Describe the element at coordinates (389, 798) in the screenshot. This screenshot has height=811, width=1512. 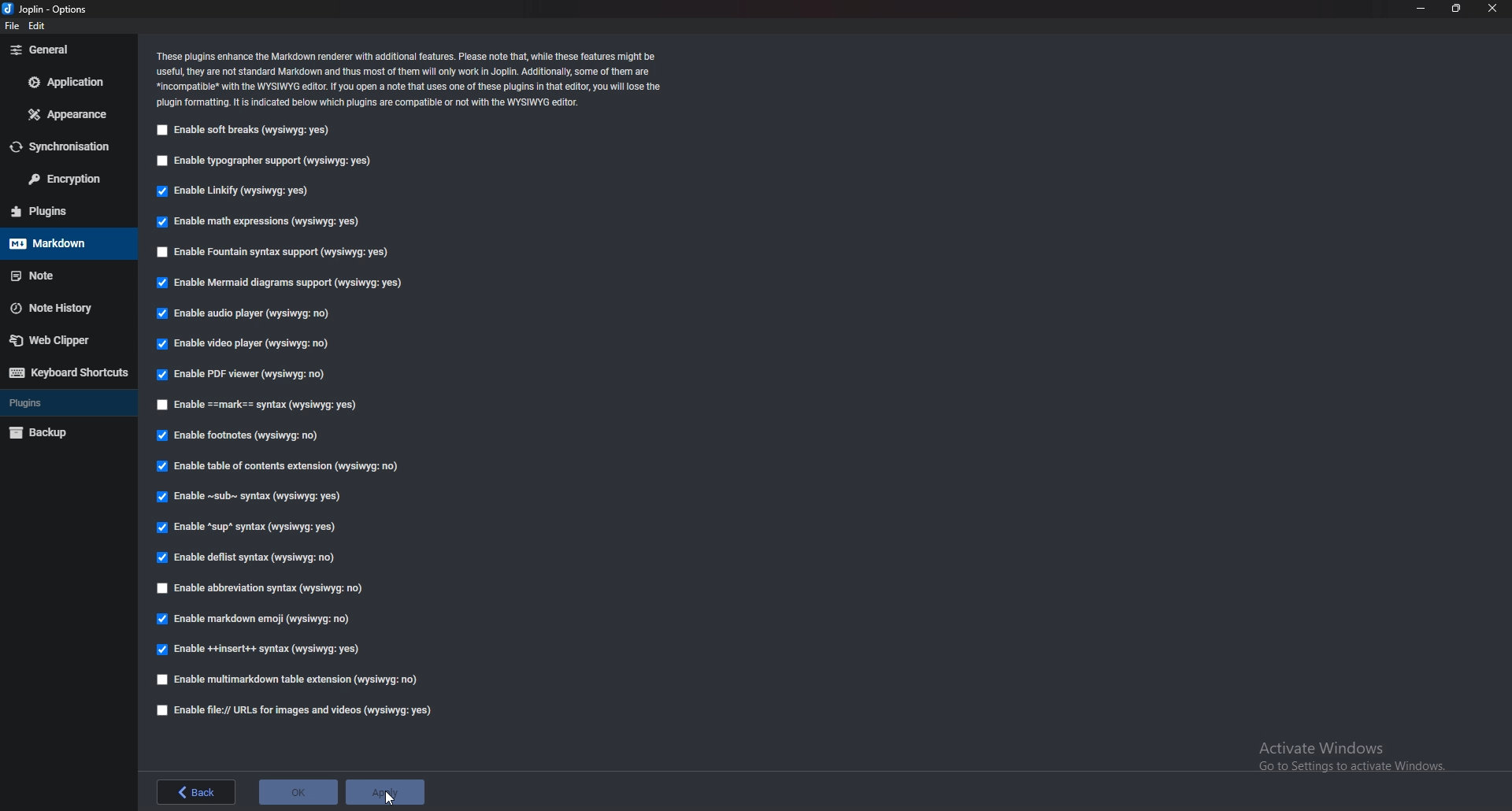
I see `cursor` at that location.